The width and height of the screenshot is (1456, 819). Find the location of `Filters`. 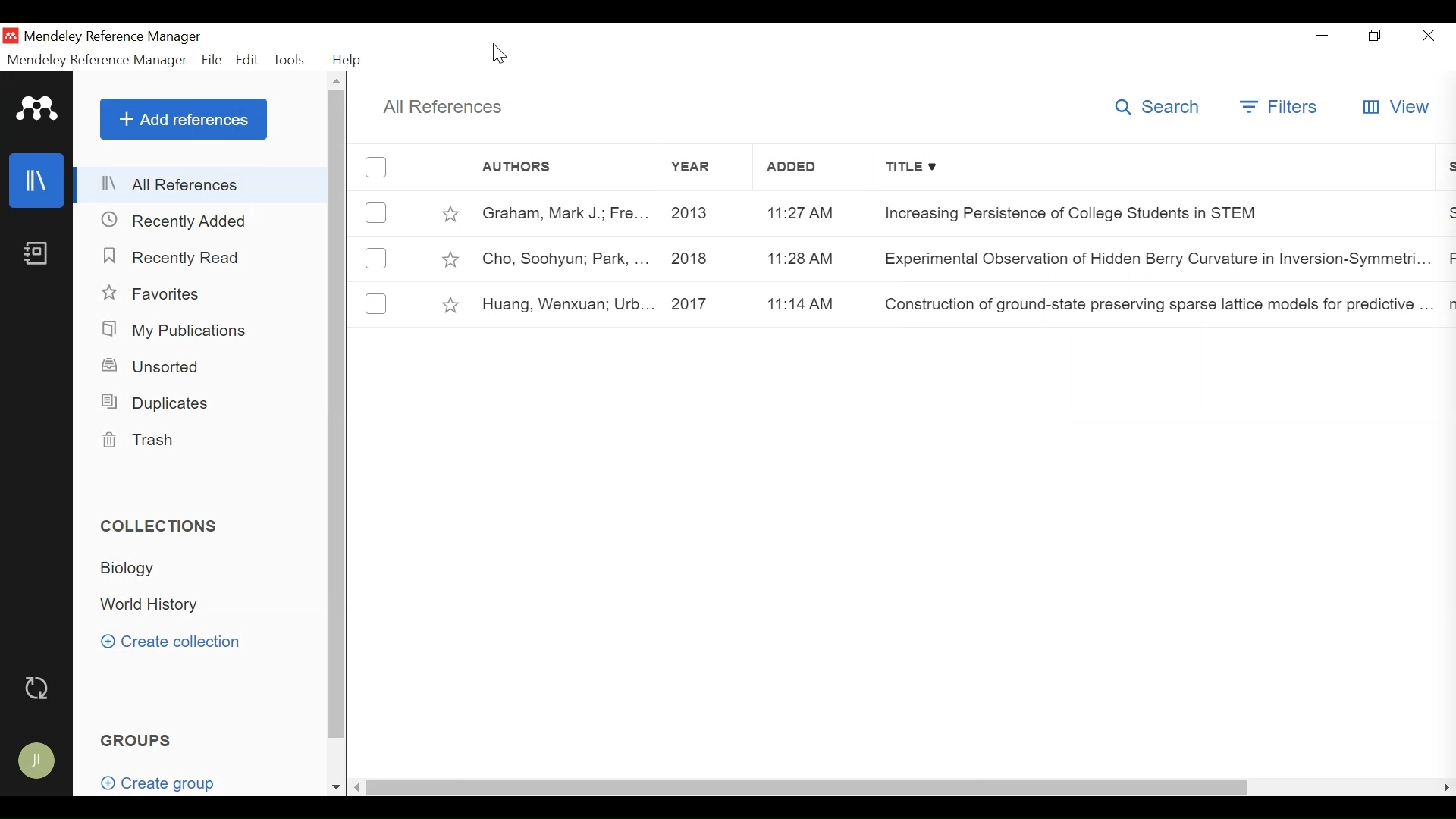

Filters is located at coordinates (1280, 108).